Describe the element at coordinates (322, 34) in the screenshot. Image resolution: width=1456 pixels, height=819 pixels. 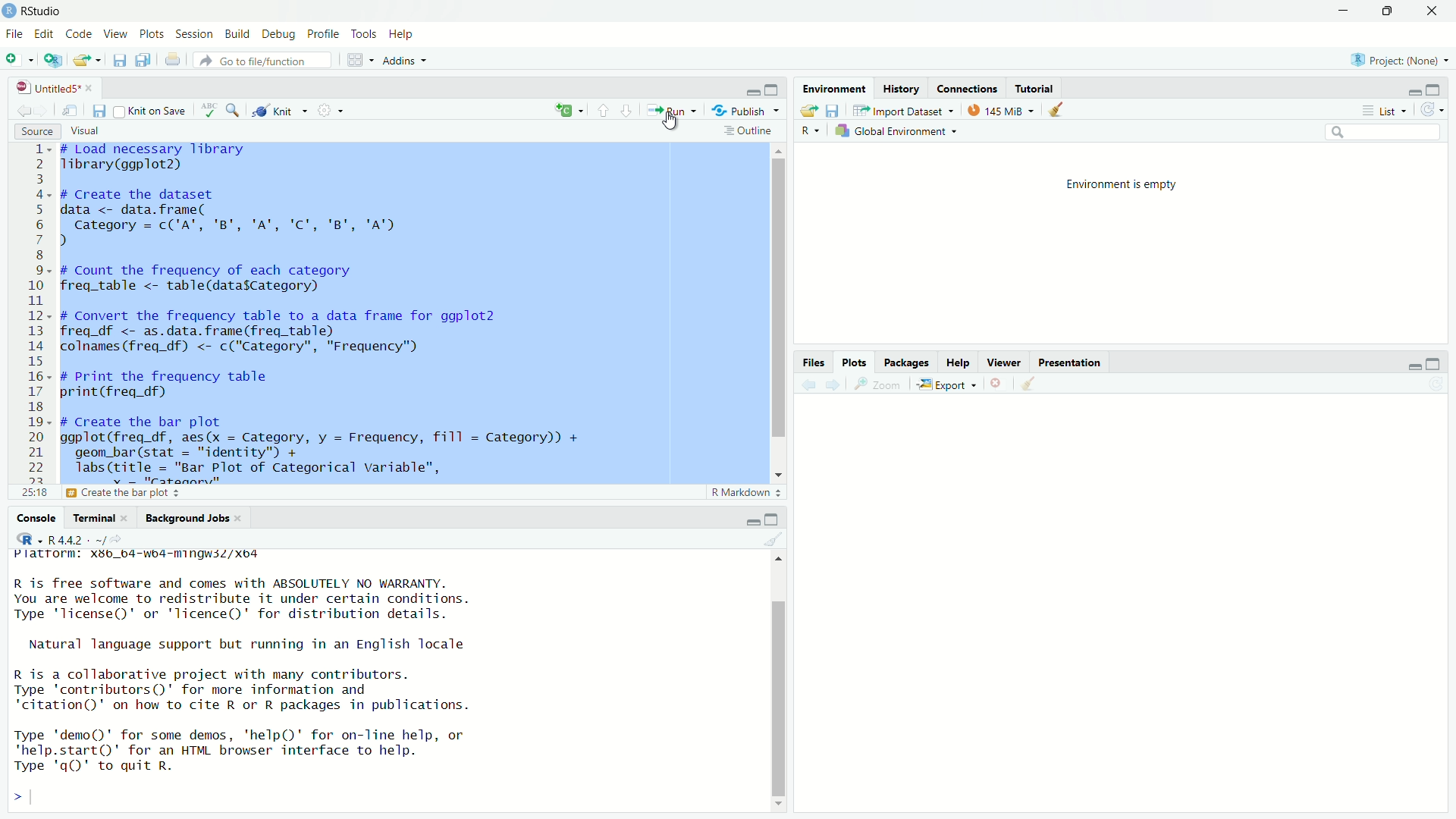
I see `profile` at that location.